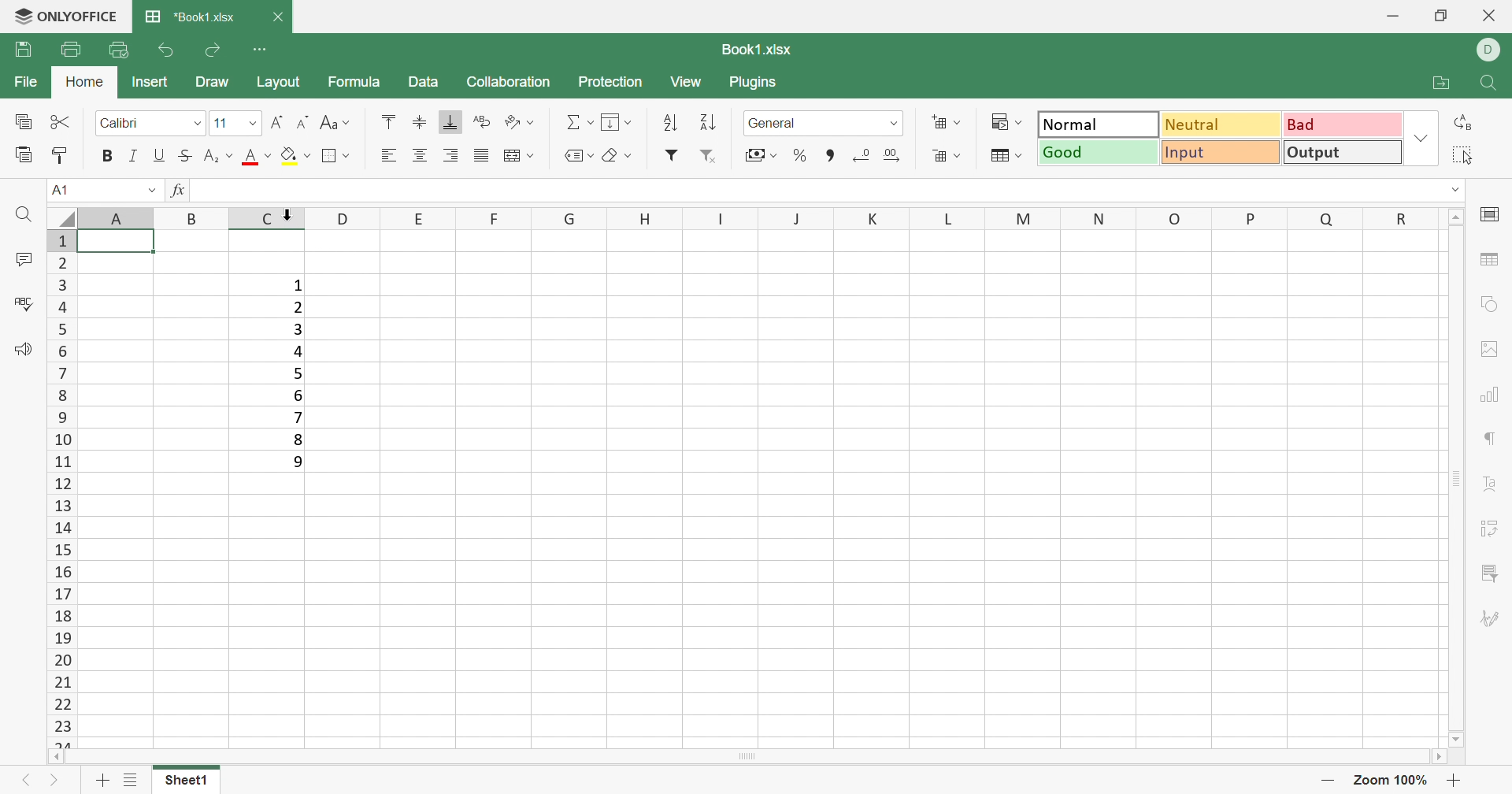 The width and height of the screenshot is (1512, 794). Describe the element at coordinates (63, 17) in the screenshot. I see `ONLYOFFICE` at that location.